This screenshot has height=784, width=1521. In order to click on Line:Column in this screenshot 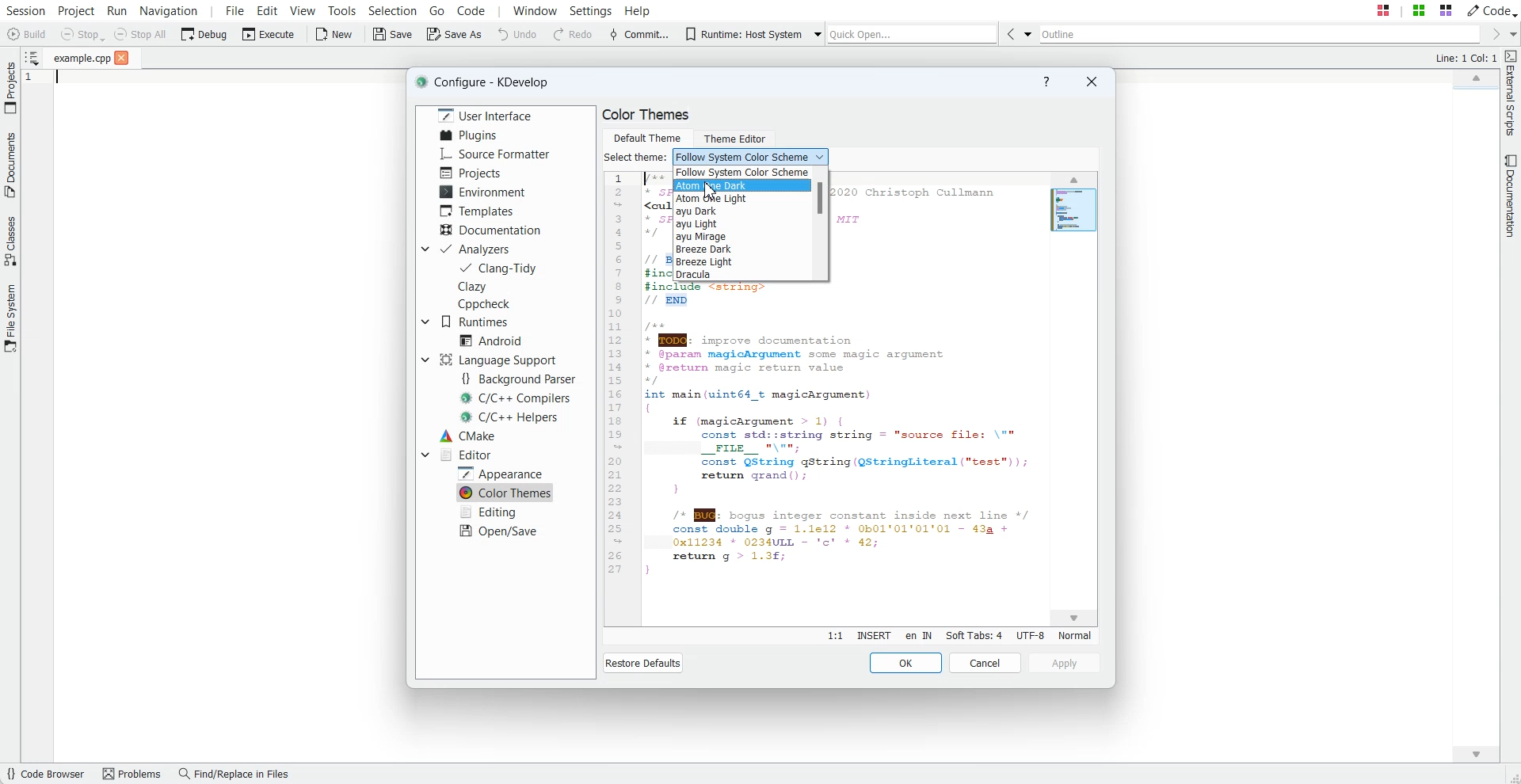, I will do `click(834, 636)`.